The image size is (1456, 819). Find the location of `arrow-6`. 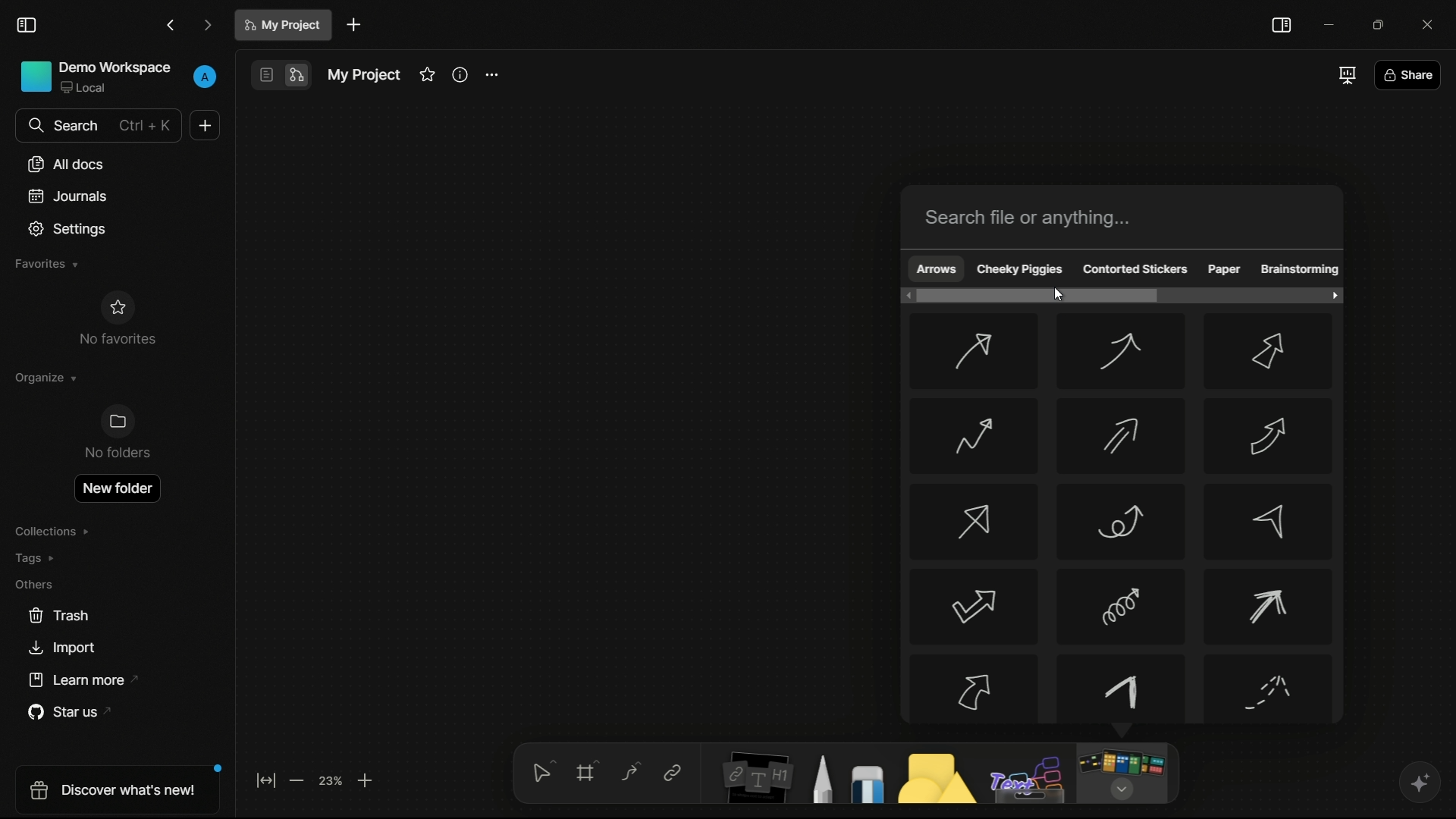

arrow-6 is located at coordinates (1270, 435).